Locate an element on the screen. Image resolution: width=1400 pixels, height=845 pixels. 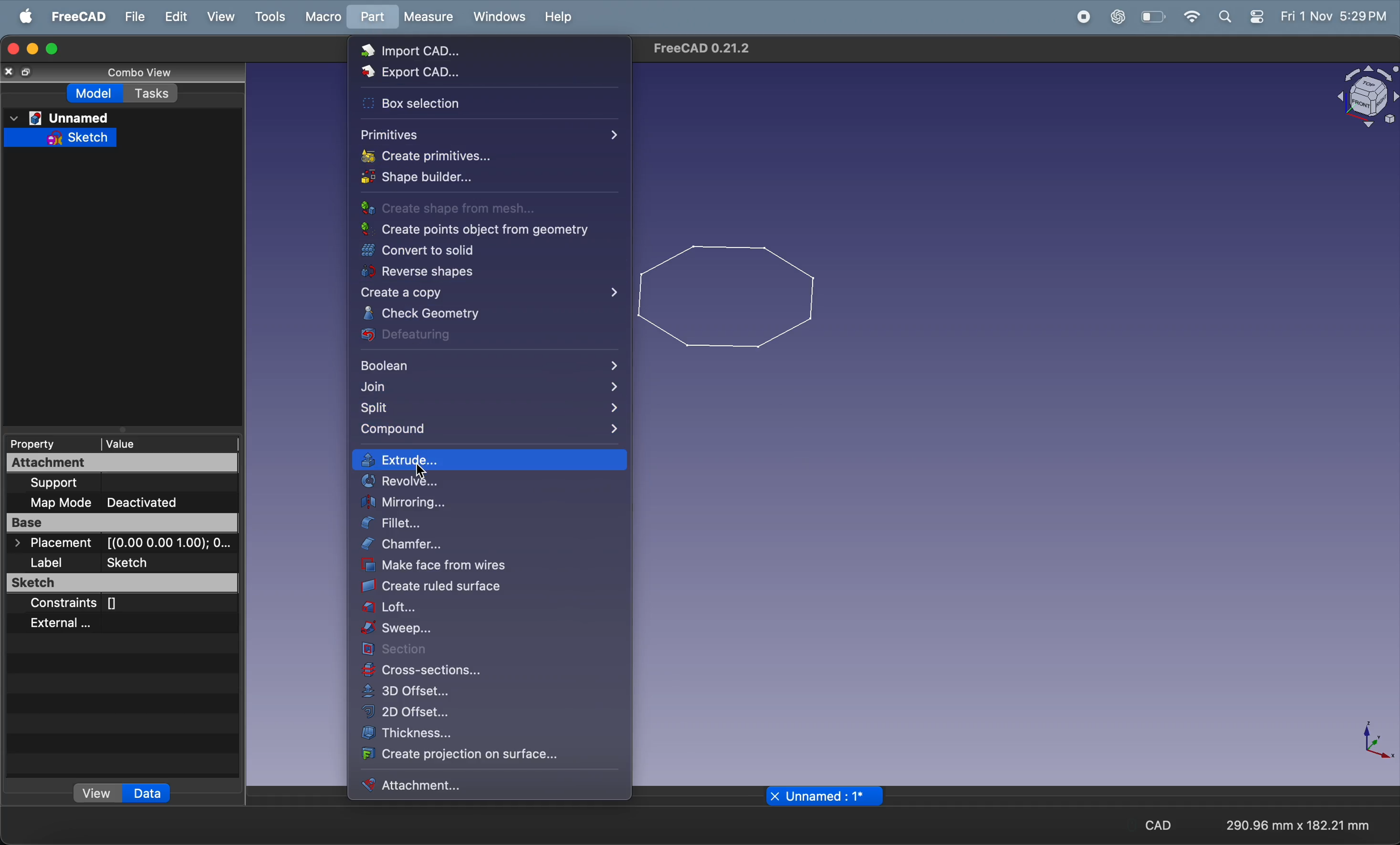
2d plygon is located at coordinates (728, 296).